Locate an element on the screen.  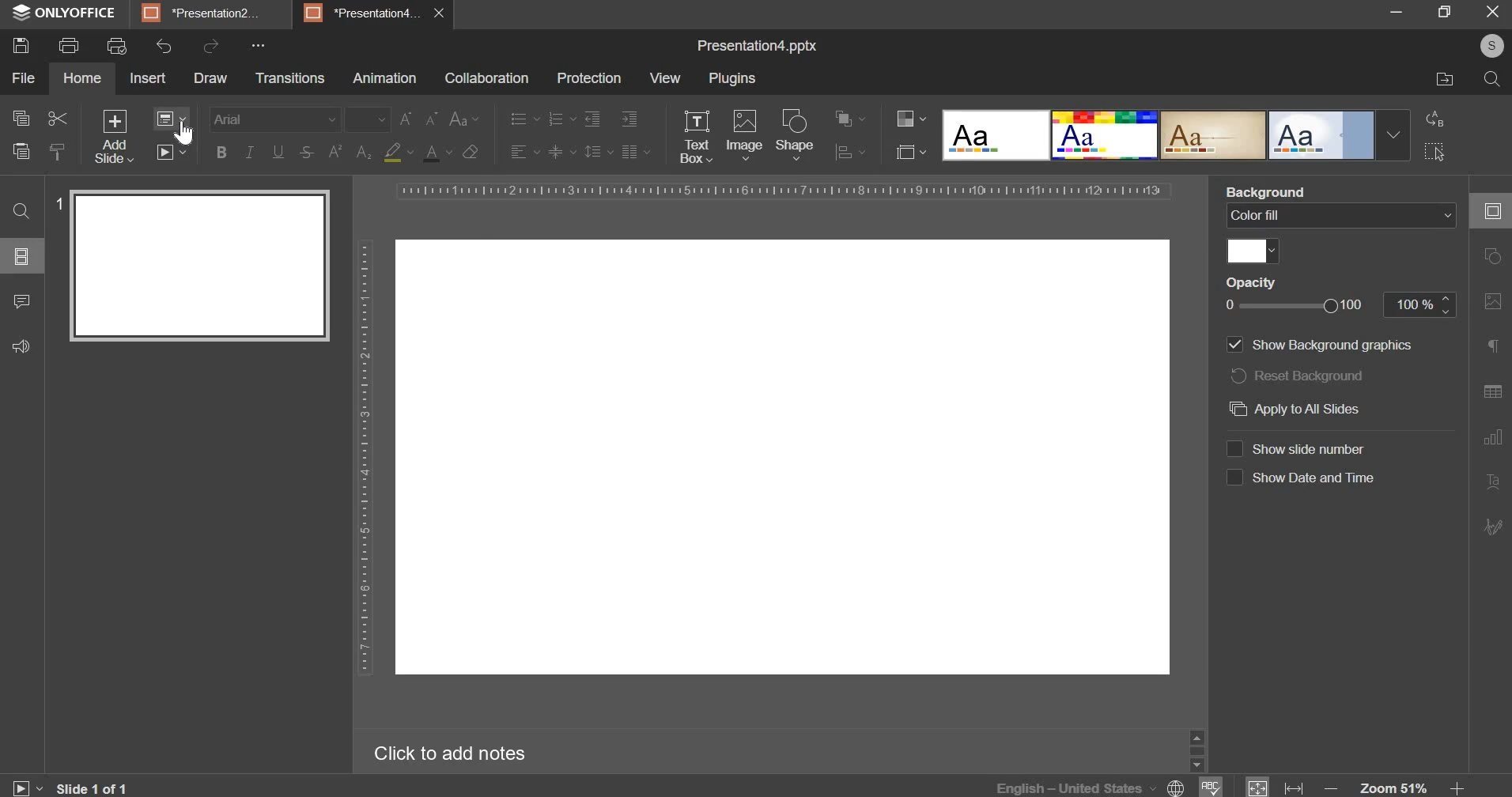
image is located at coordinates (745, 136).